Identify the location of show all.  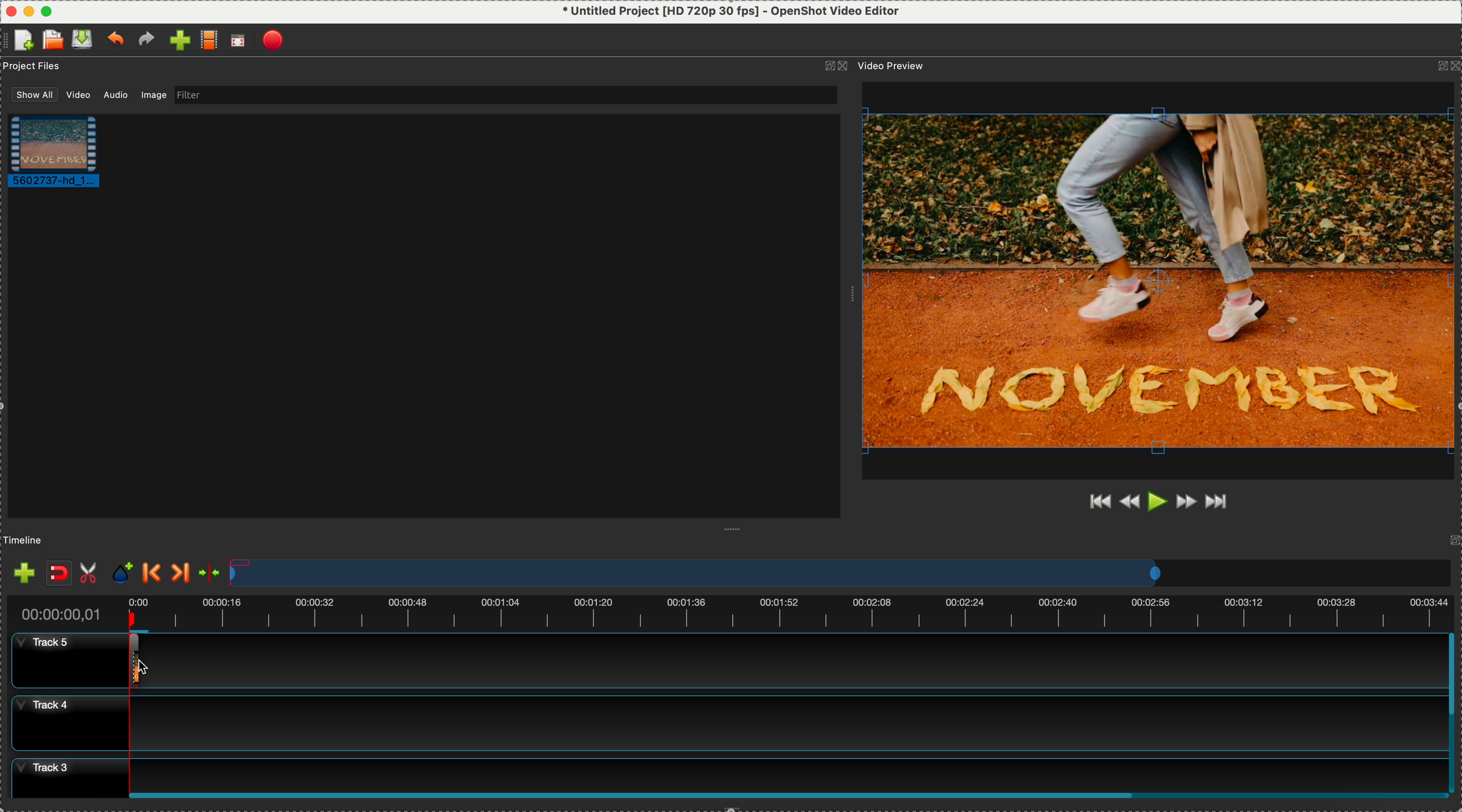
(30, 94).